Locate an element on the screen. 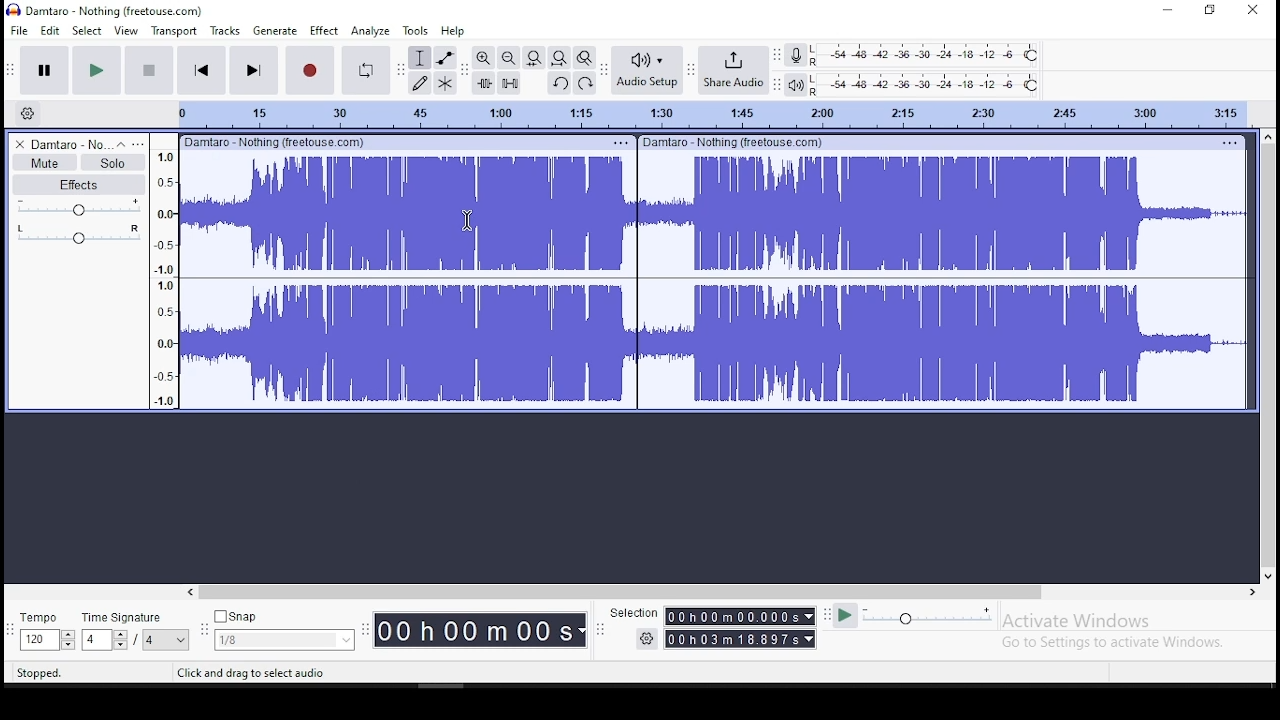 This screenshot has height=720, width=1280. cursor is located at coordinates (467, 220).